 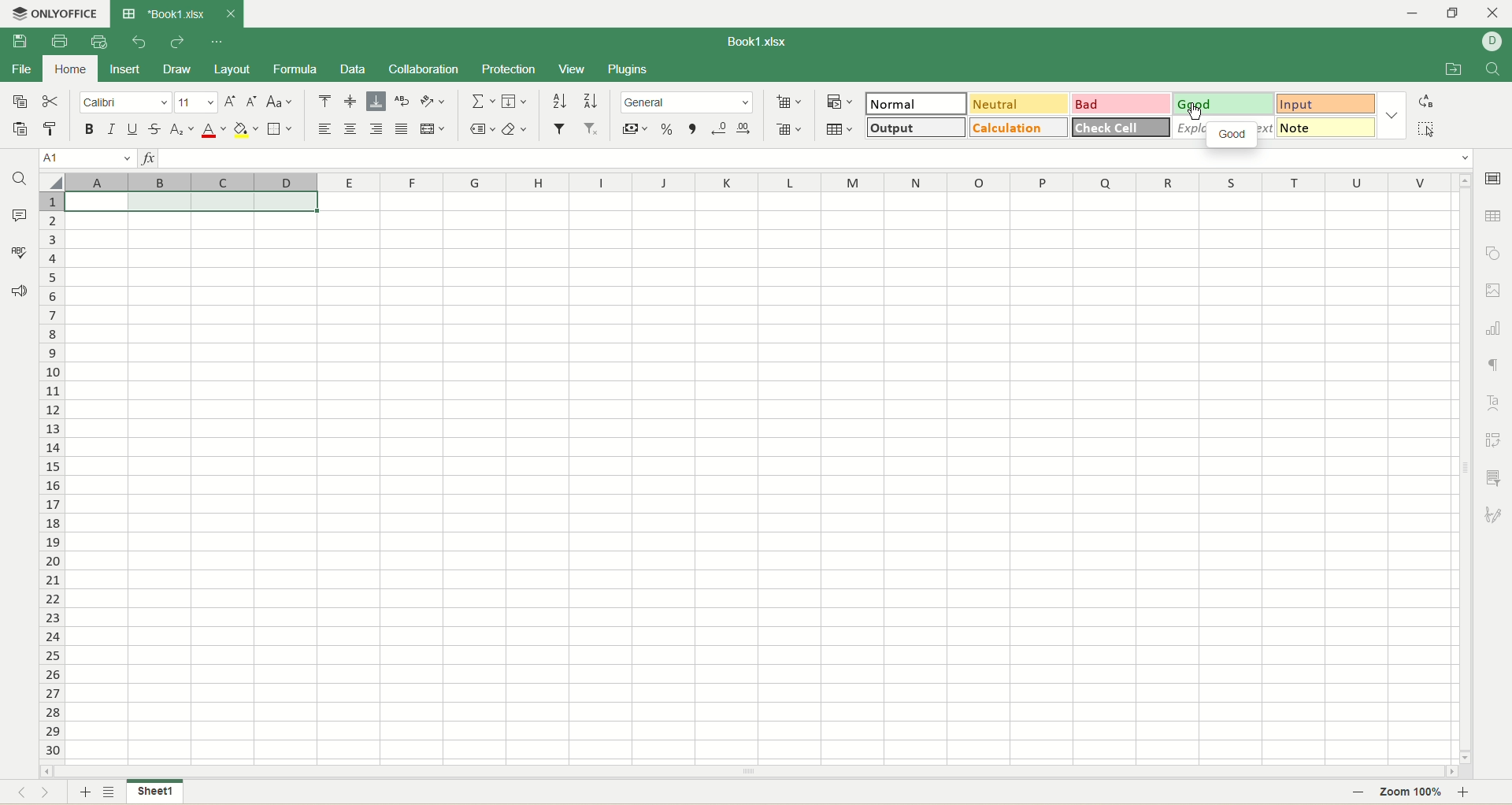 I want to click on minimize, so click(x=1411, y=13).